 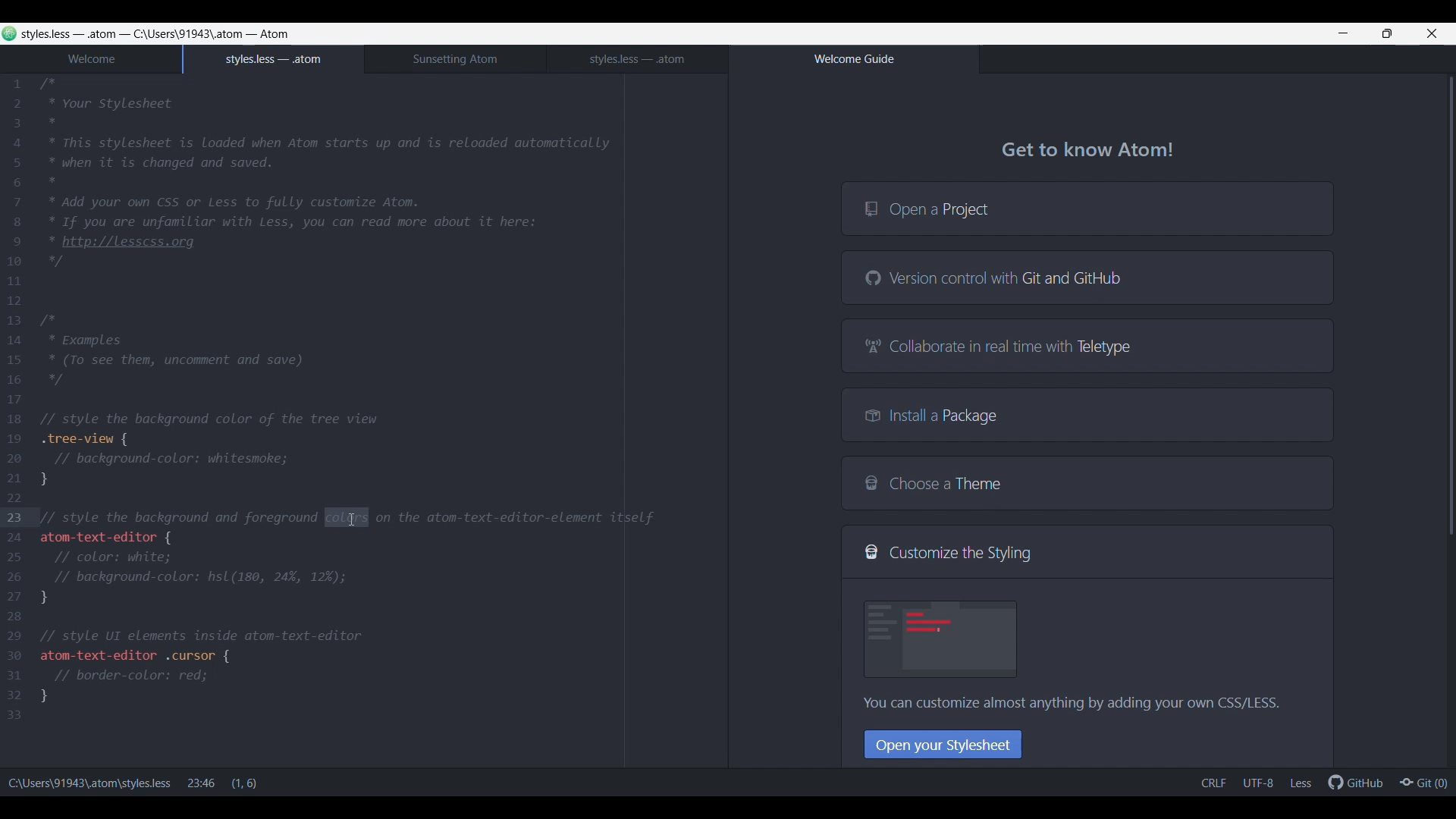 I want to click on style.less tab, so click(x=637, y=59).